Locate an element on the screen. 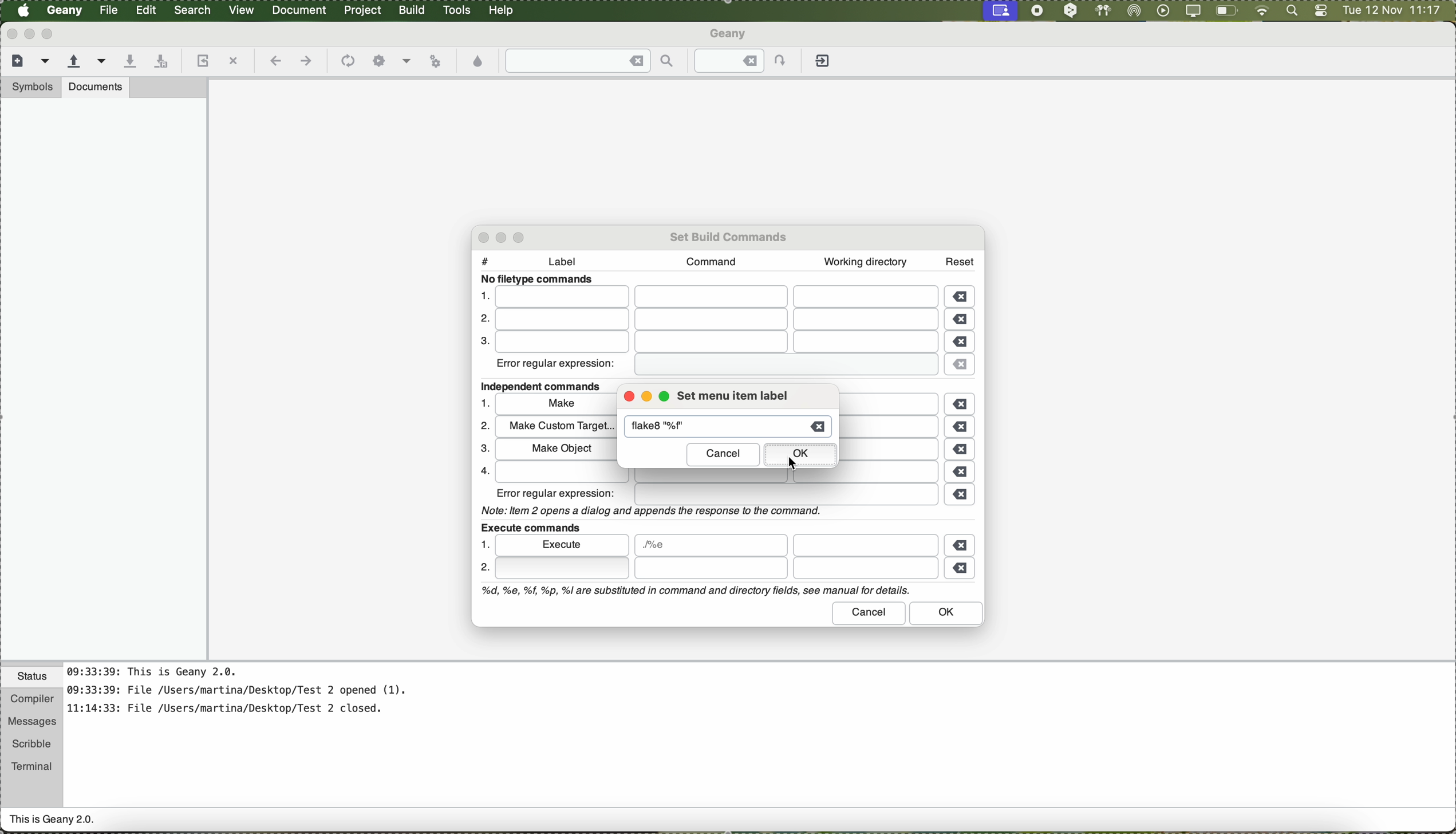 This screenshot has width=1456, height=834. run or view the current file is located at coordinates (435, 60).